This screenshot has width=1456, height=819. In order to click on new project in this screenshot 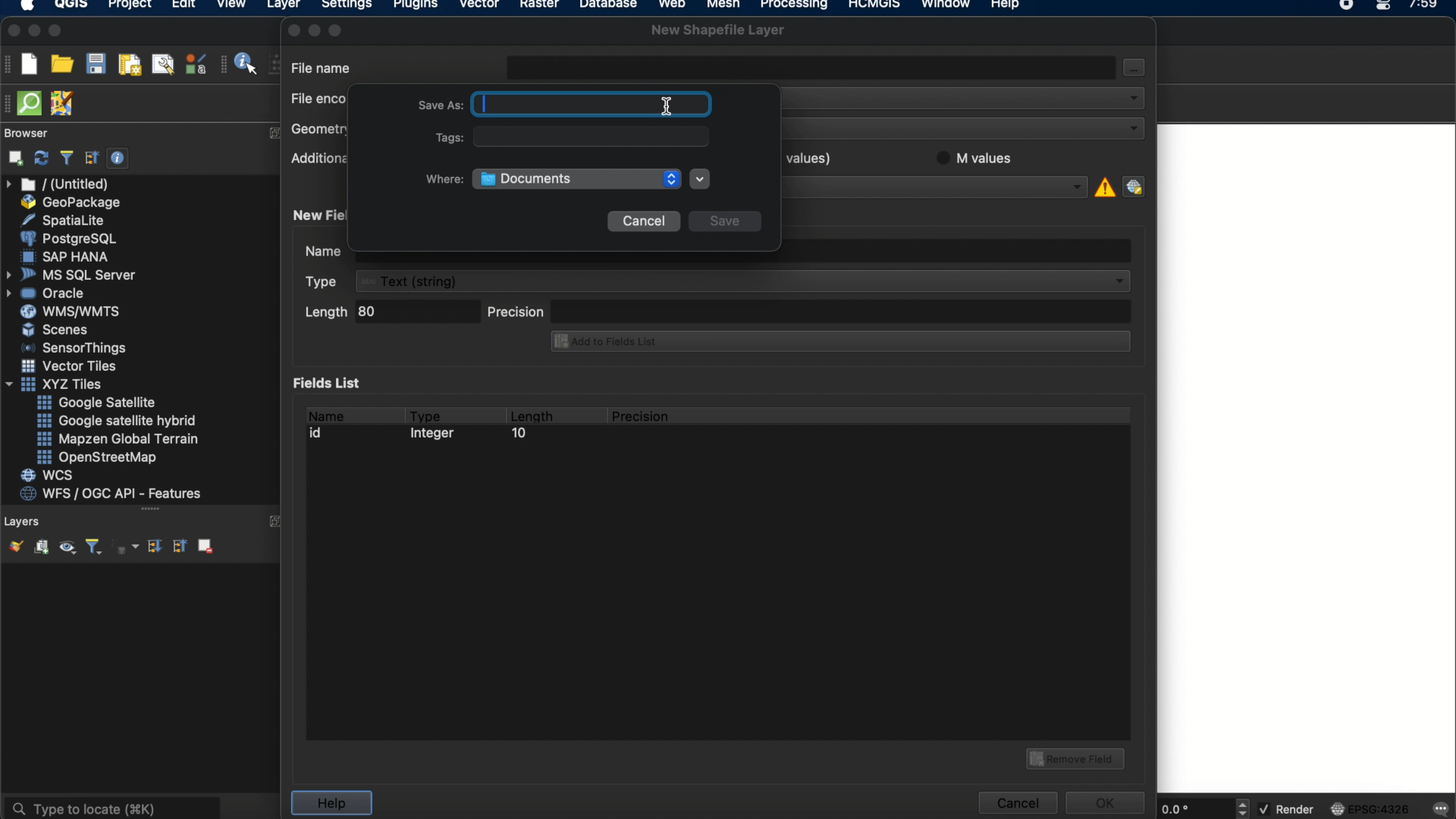, I will do `click(29, 64)`.